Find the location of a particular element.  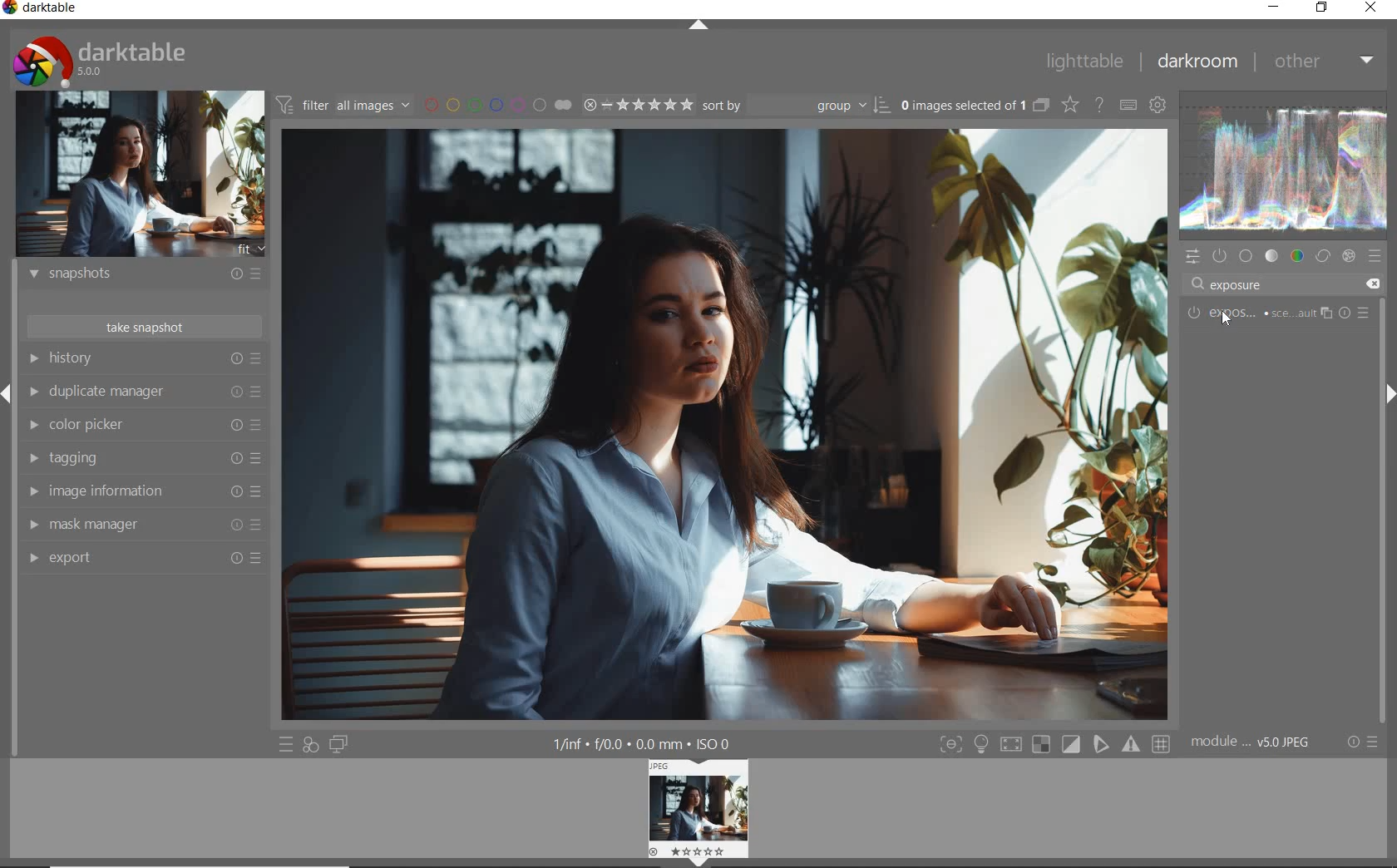

waveform is located at coordinates (1286, 169).